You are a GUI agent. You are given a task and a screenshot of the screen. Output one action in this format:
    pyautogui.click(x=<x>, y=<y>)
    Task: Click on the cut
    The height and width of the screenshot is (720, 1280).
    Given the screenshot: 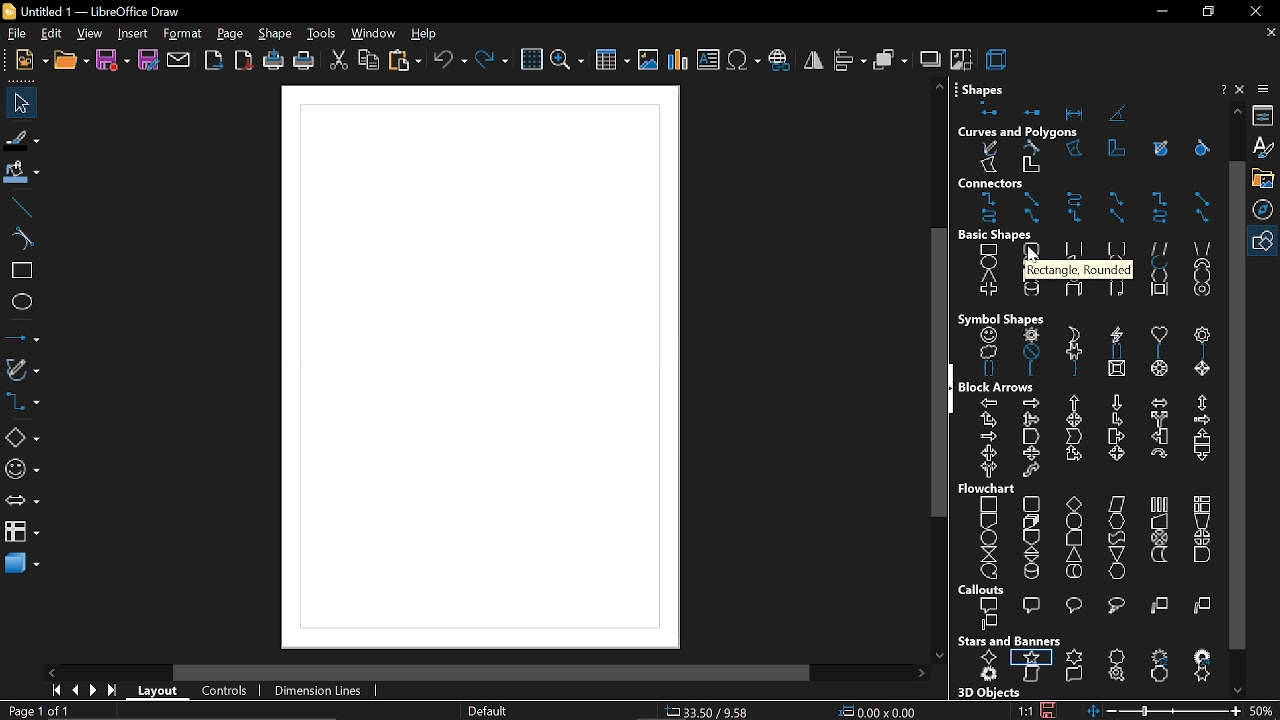 What is the action you would take?
    pyautogui.click(x=339, y=63)
    